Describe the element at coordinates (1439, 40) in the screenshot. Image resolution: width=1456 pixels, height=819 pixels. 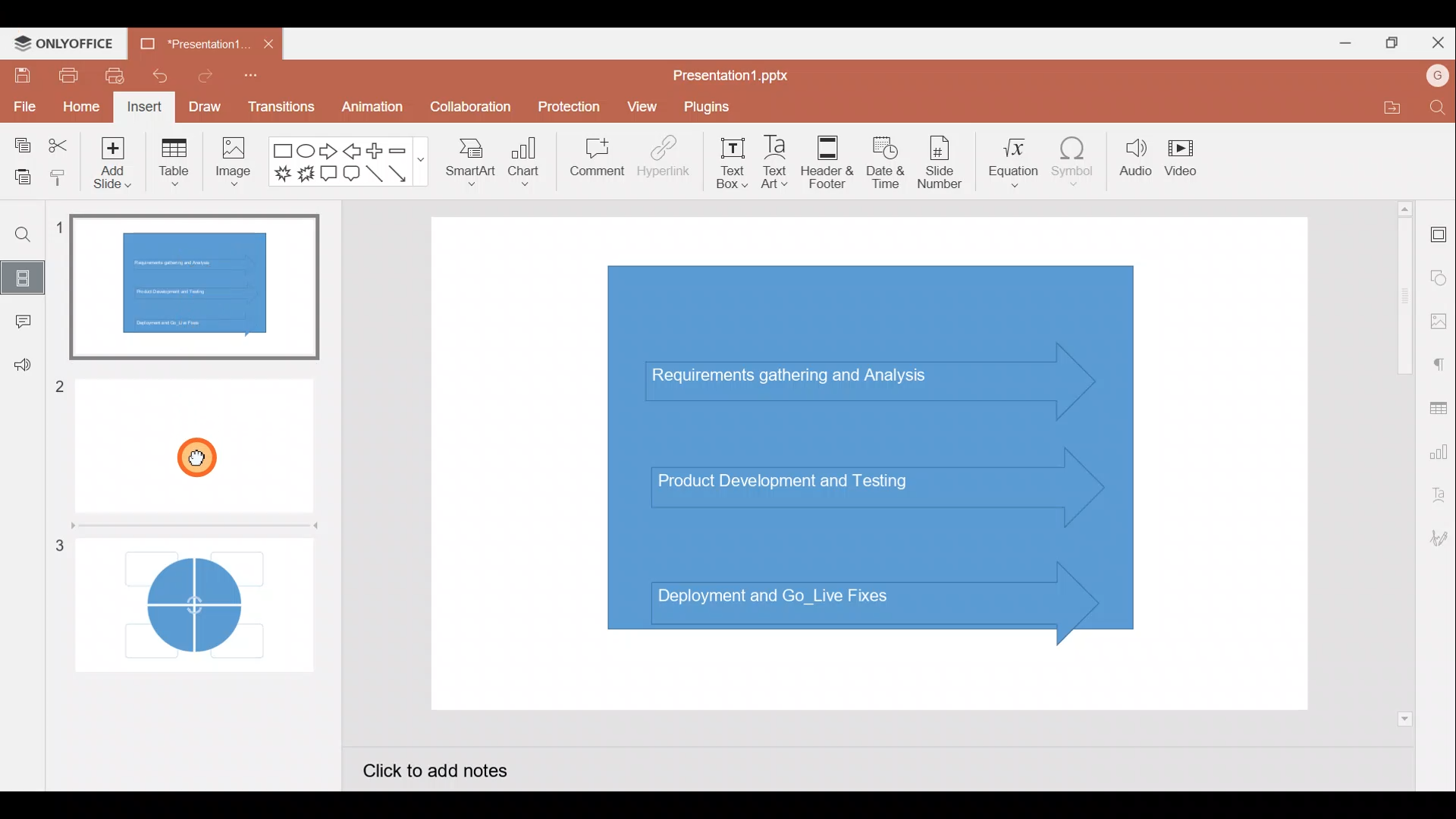
I see `Close` at that location.